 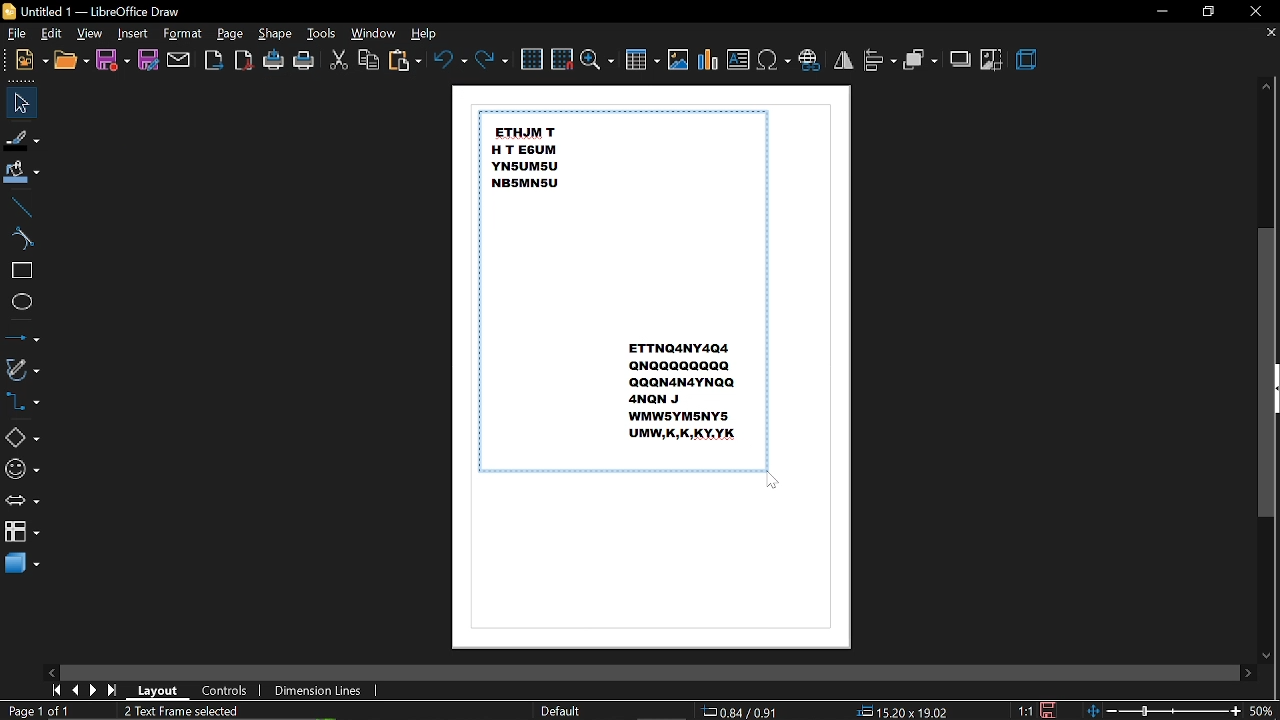 I want to click on shadow, so click(x=960, y=59).